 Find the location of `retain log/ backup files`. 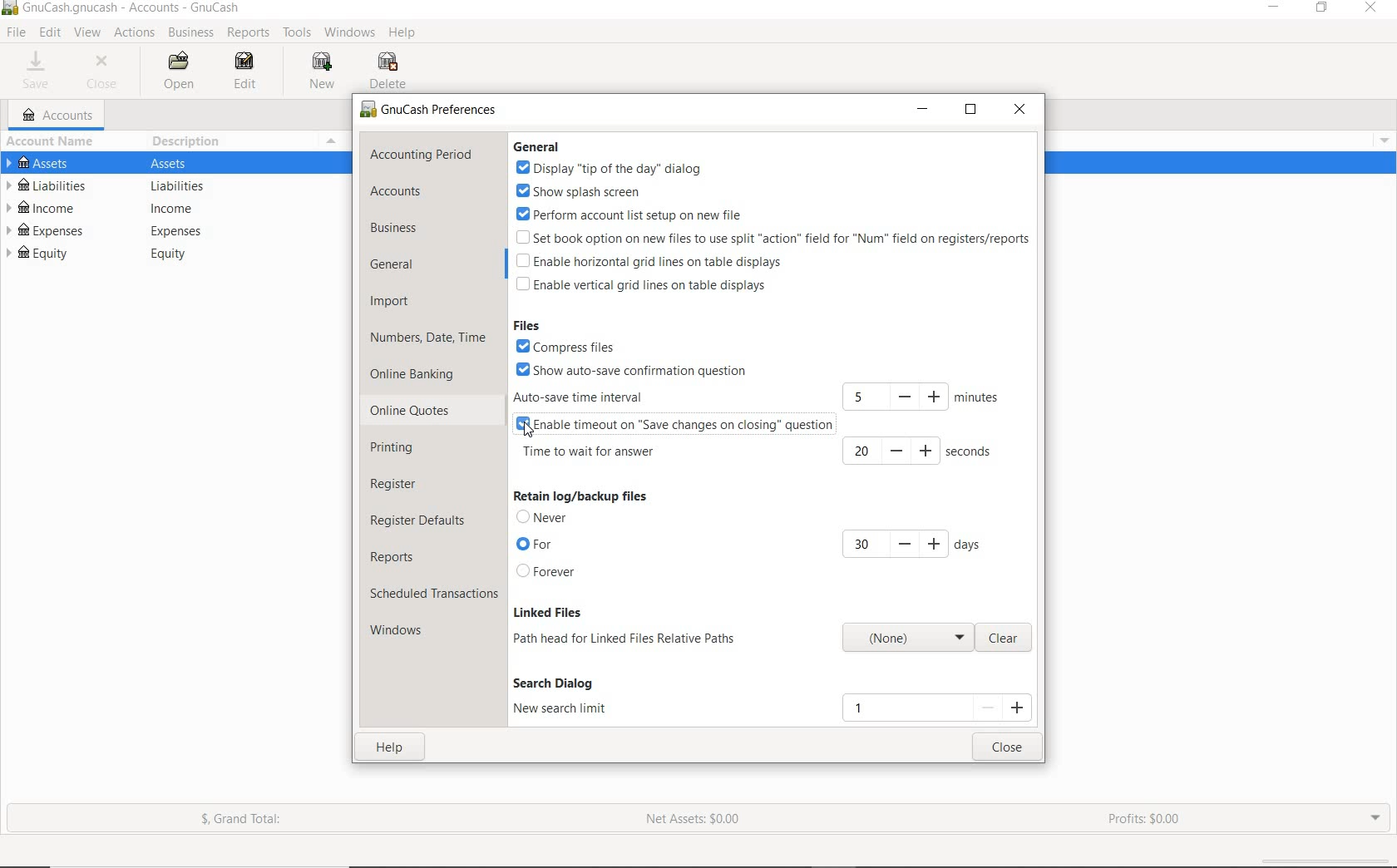

retain log/ backup files is located at coordinates (580, 496).